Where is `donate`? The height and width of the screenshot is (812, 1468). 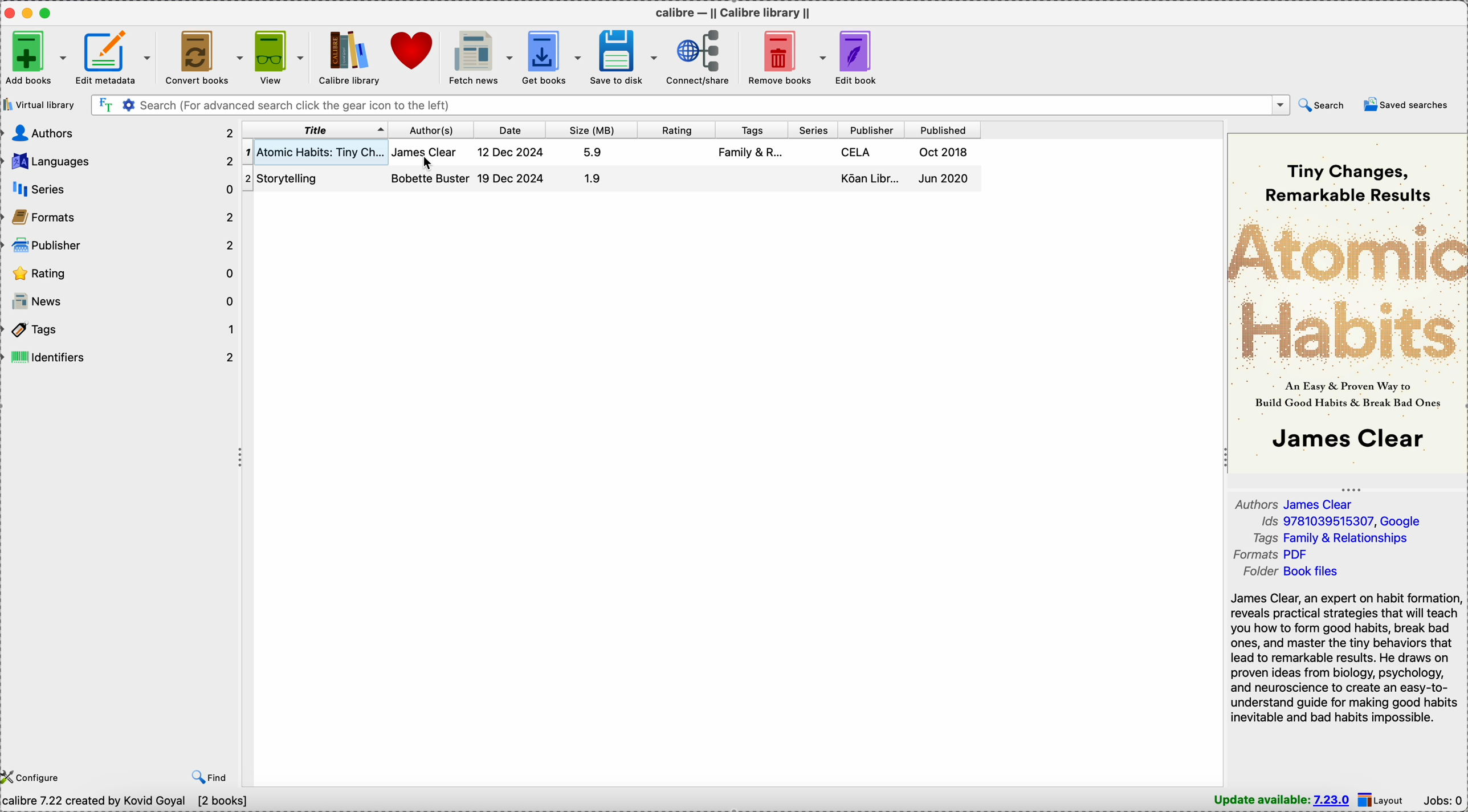 donate is located at coordinates (413, 51).